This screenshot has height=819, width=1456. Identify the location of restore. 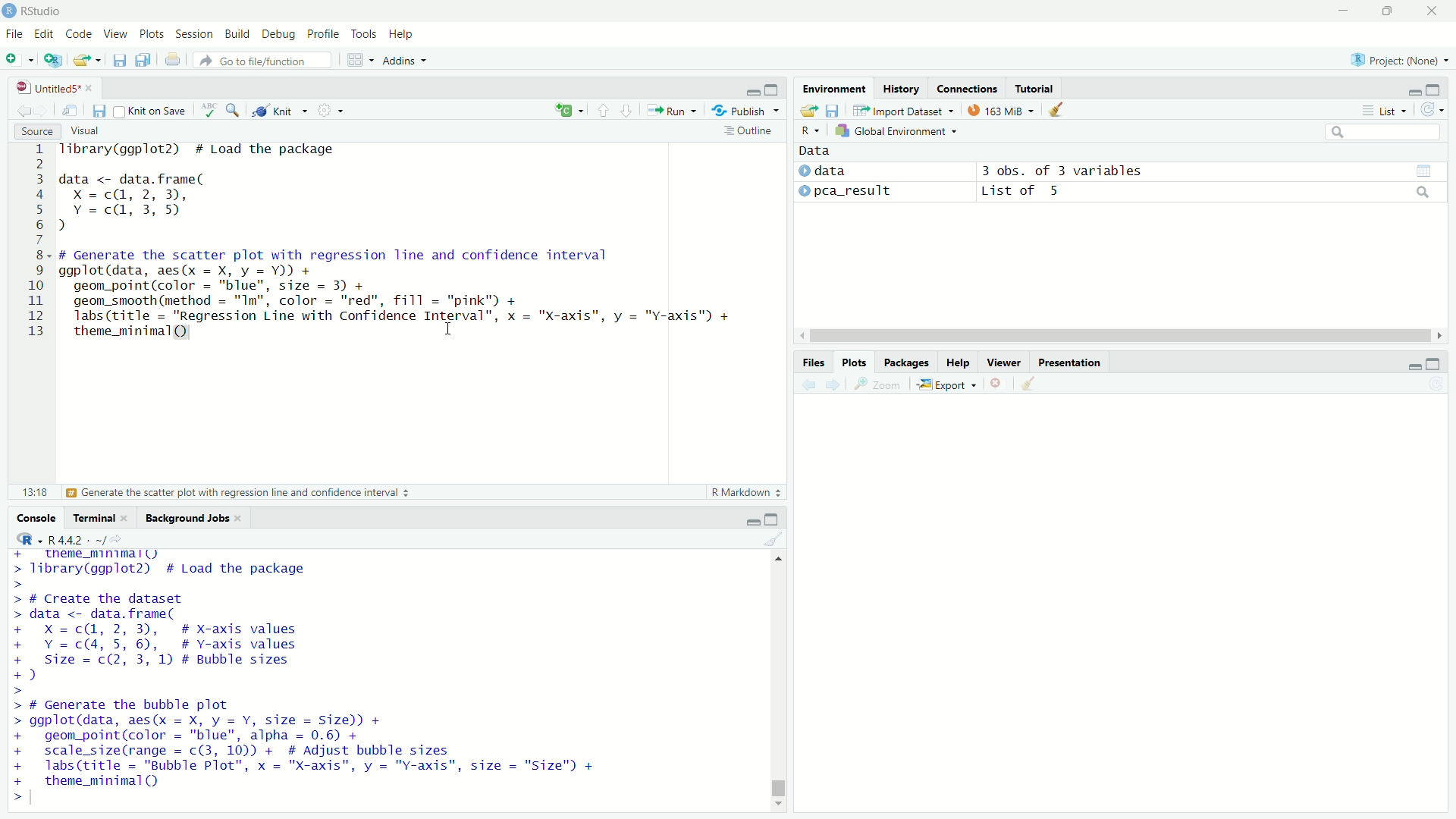
(1389, 11).